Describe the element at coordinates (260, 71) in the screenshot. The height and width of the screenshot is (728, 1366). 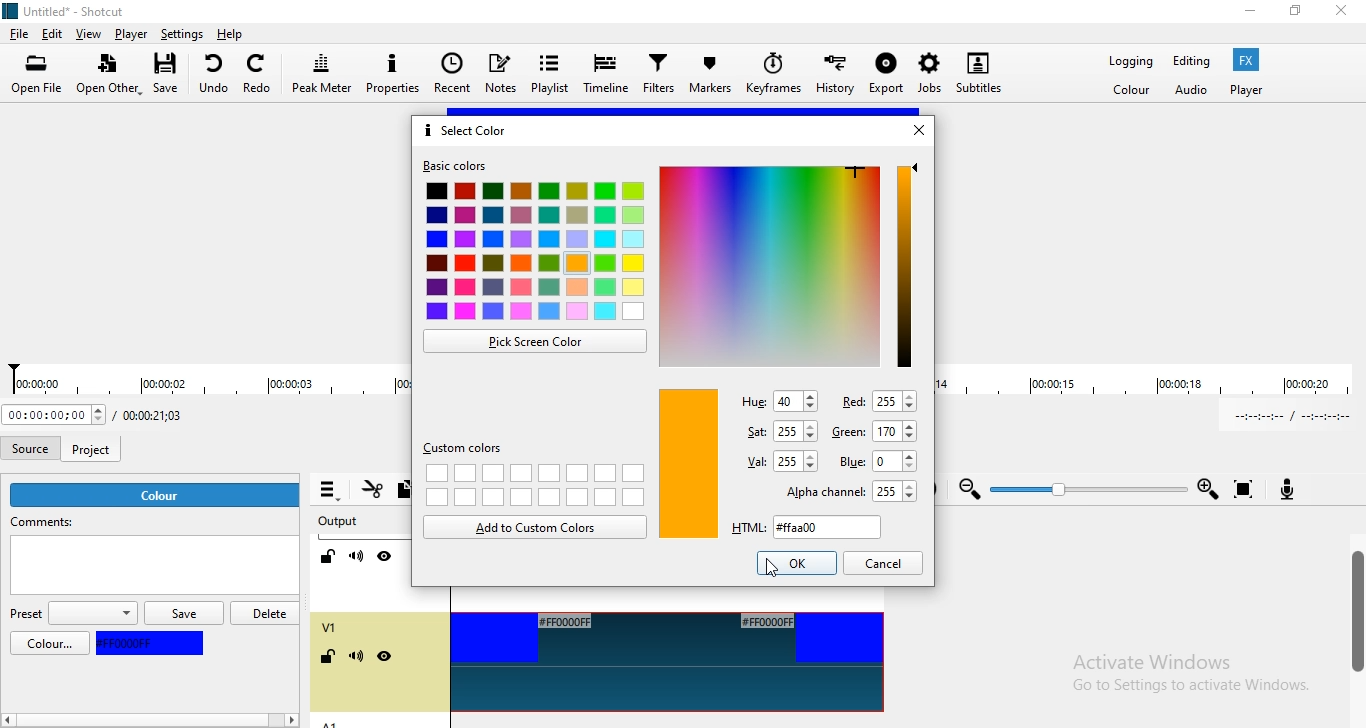
I see `Redo` at that location.